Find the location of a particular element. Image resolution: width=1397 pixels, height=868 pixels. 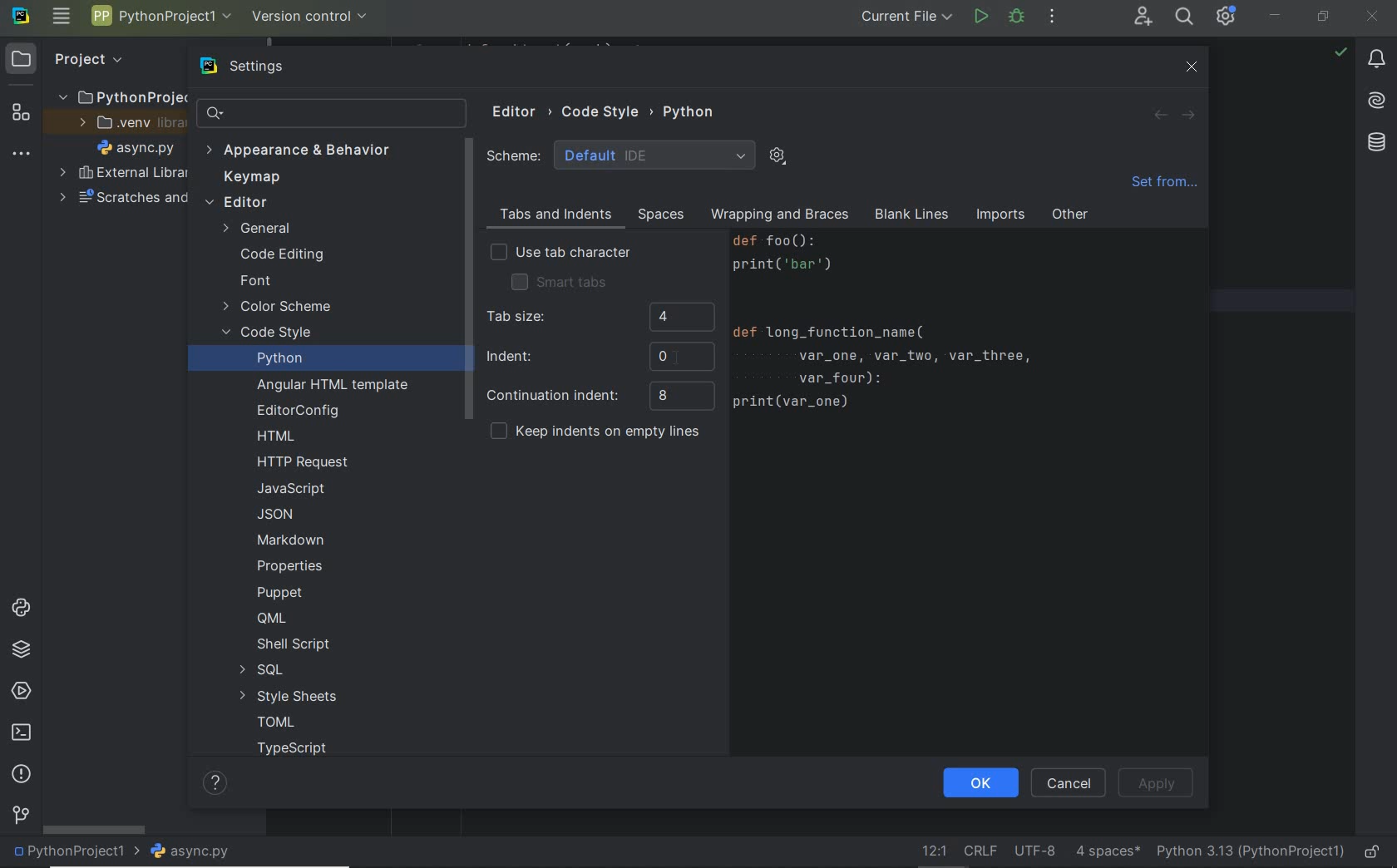

imports is located at coordinates (1000, 216).